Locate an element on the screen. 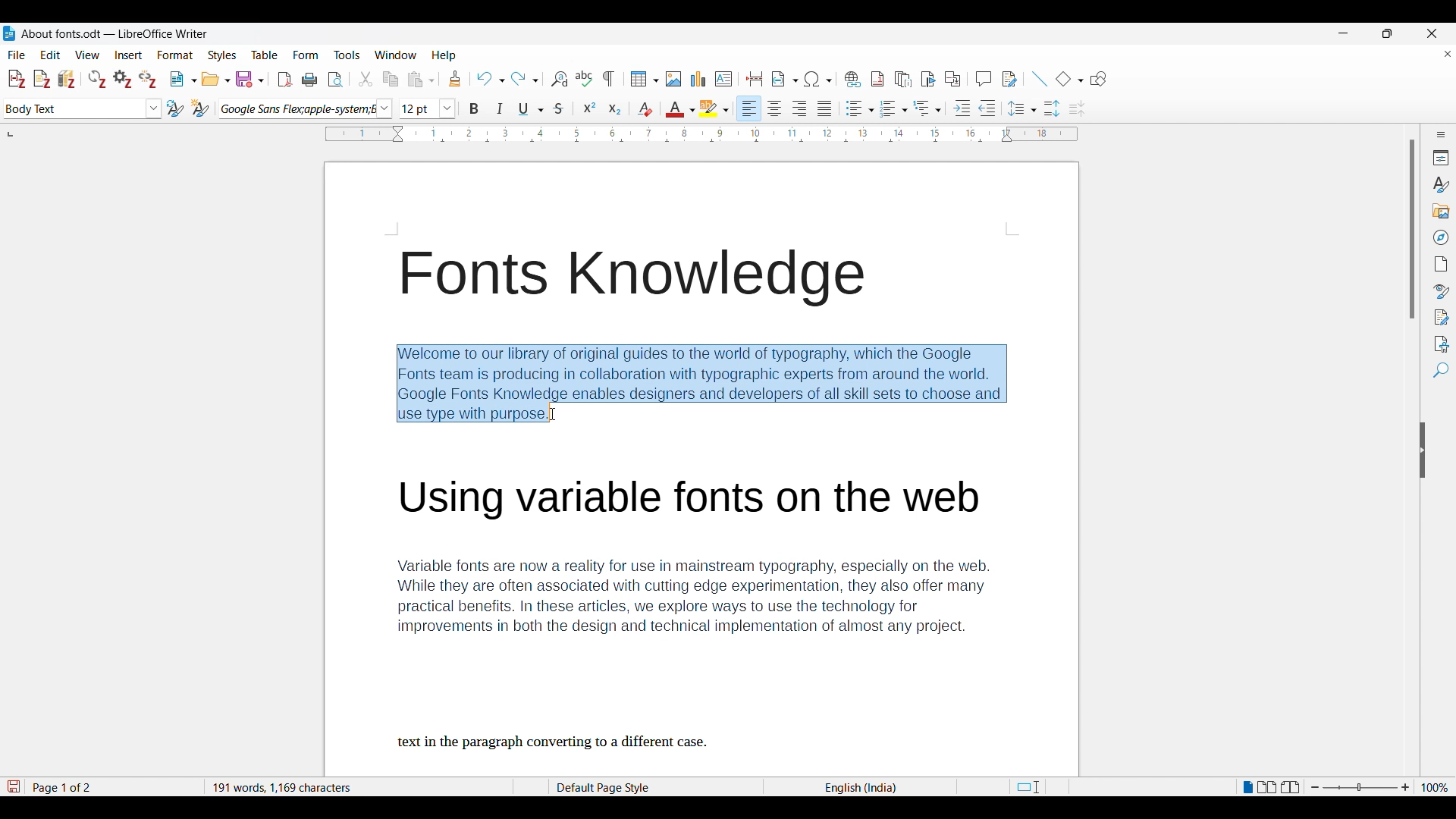 The height and width of the screenshot is (819, 1456). Insert comment is located at coordinates (984, 79).